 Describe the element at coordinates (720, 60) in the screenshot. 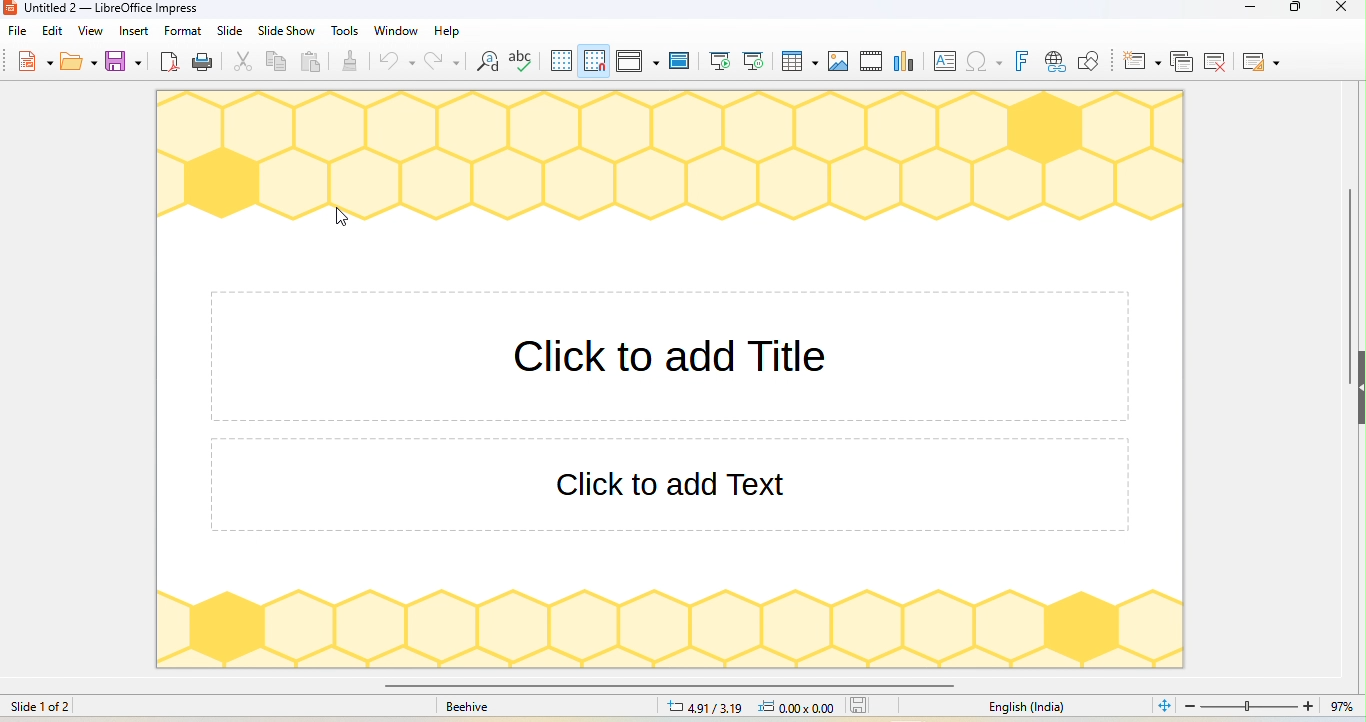

I see `start from beginning` at that location.